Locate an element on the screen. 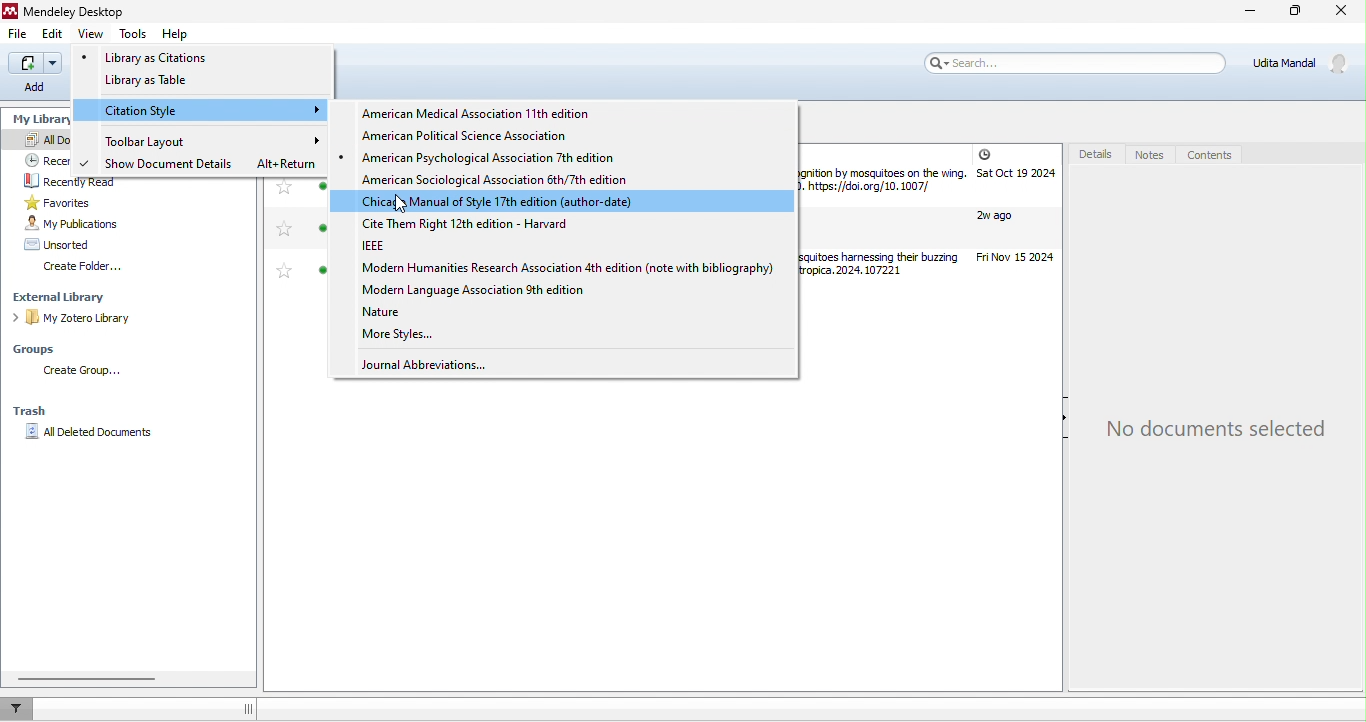 Image resolution: width=1366 pixels, height=722 pixels. help is located at coordinates (174, 36).